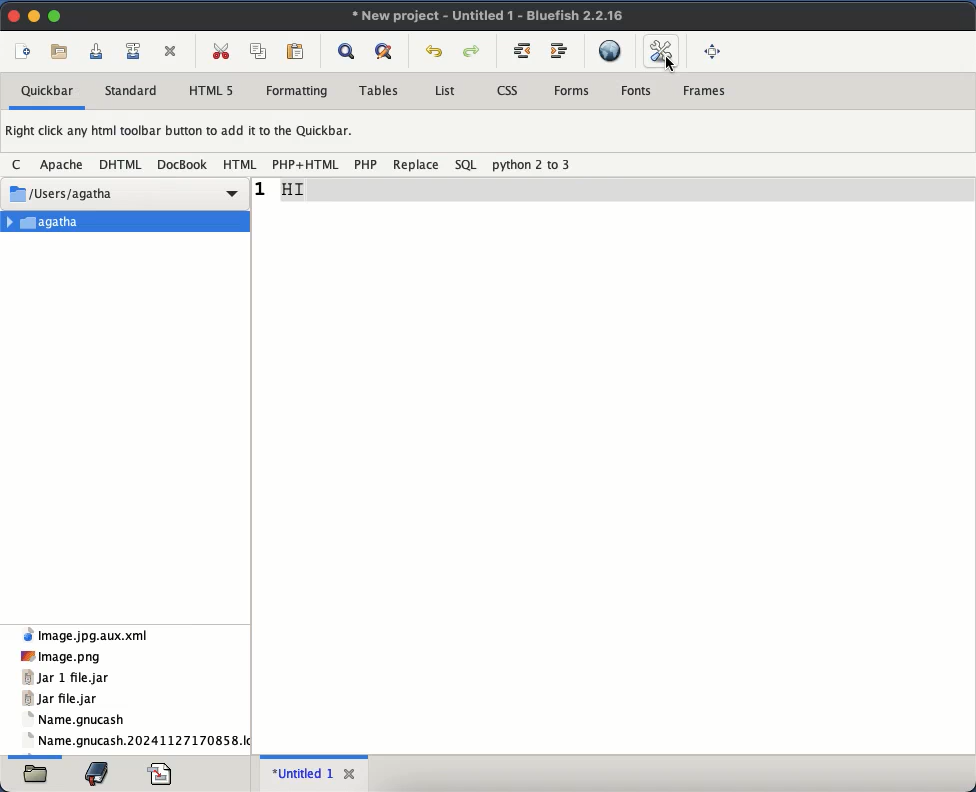  What do you see at coordinates (183, 166) in the screenshot?
I see `docbook` at bounding box center [183, 166].